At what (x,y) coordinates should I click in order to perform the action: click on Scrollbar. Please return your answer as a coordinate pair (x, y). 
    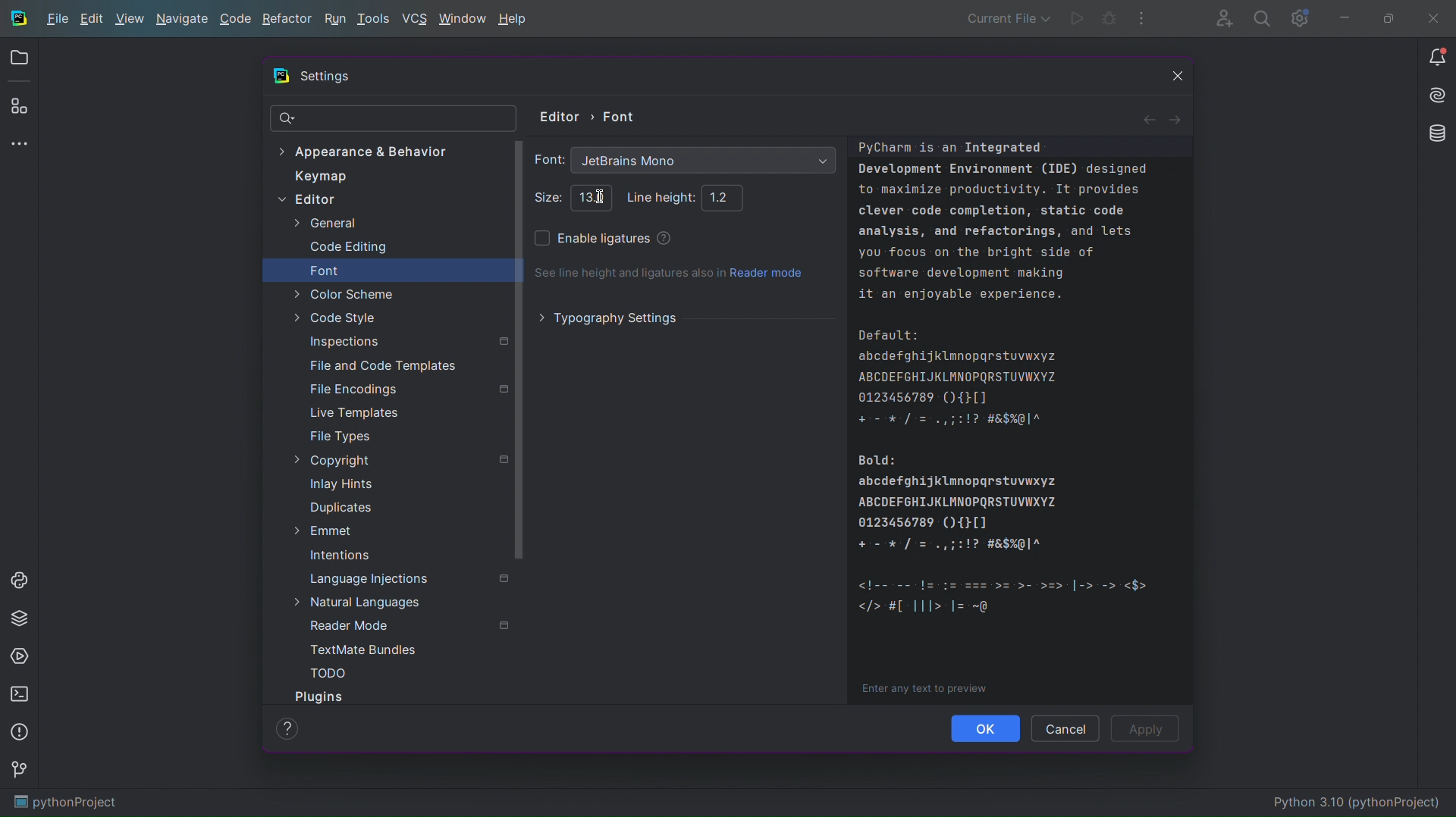
    Looking at the image, I should click on (519, 352).